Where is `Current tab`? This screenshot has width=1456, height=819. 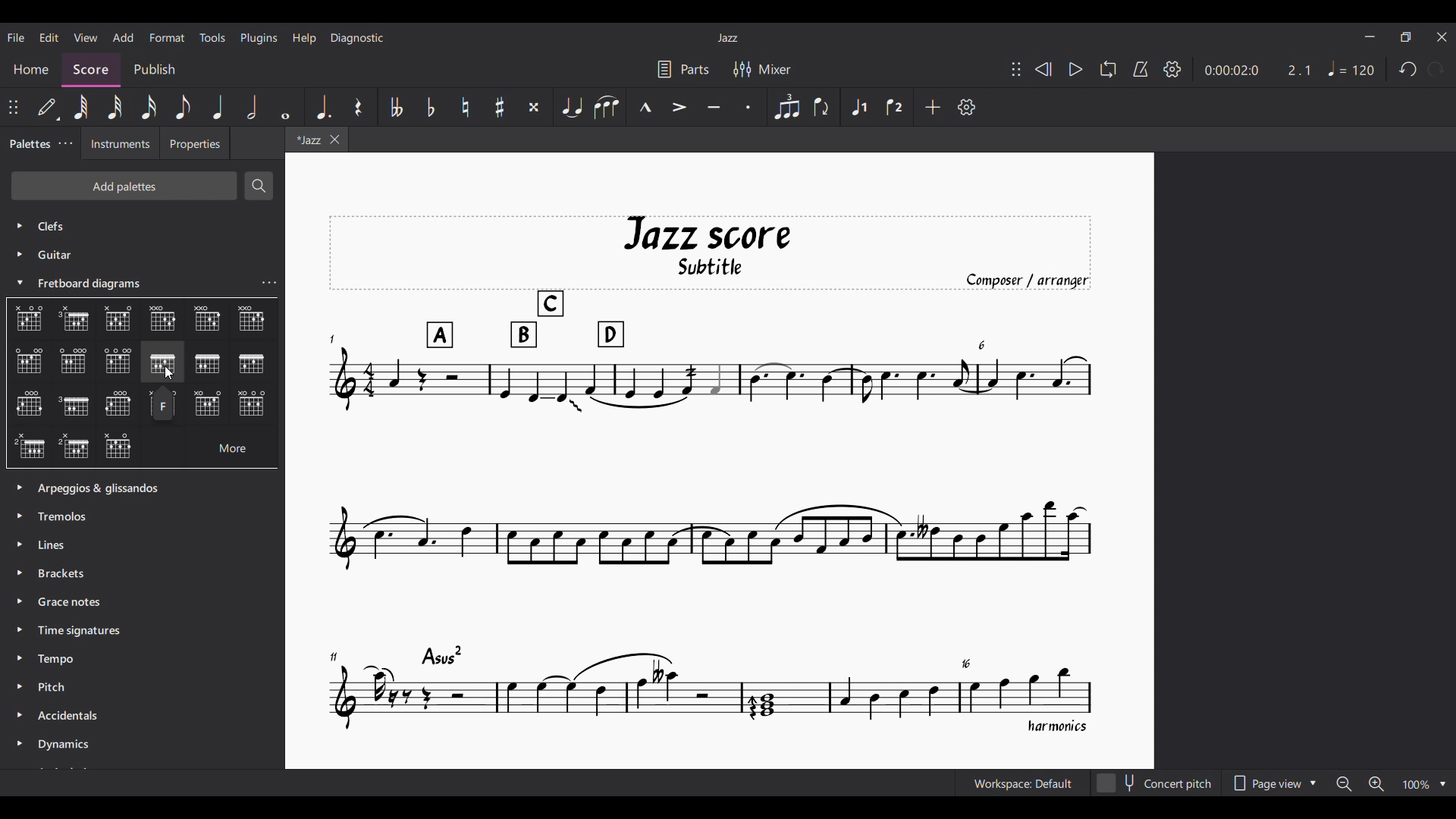
Current tab is located at coordinates (306, 139).